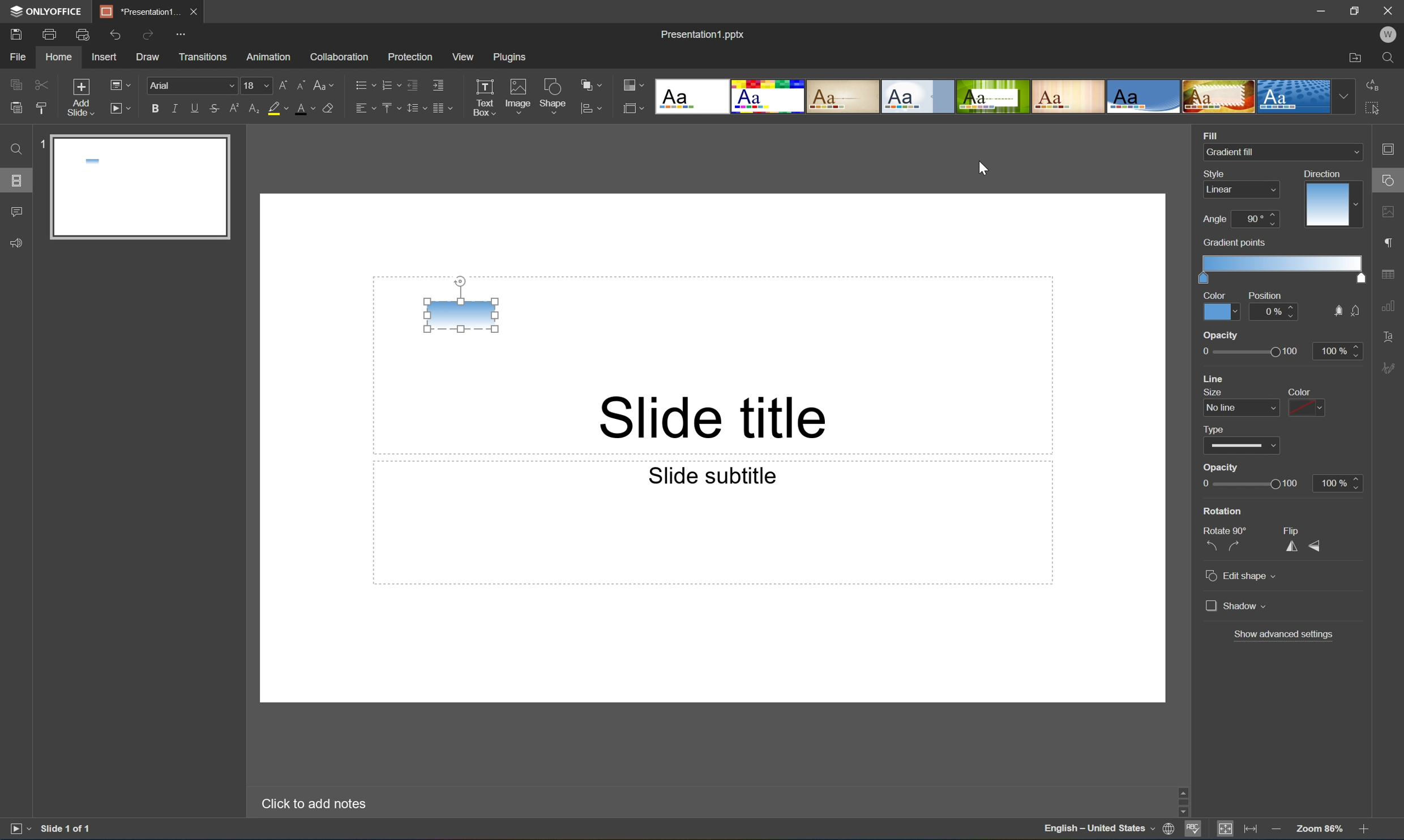 Image resolution: width=1404 pixels, height=840 pixels. I want to click on Drop Down, so click(1345, 96).